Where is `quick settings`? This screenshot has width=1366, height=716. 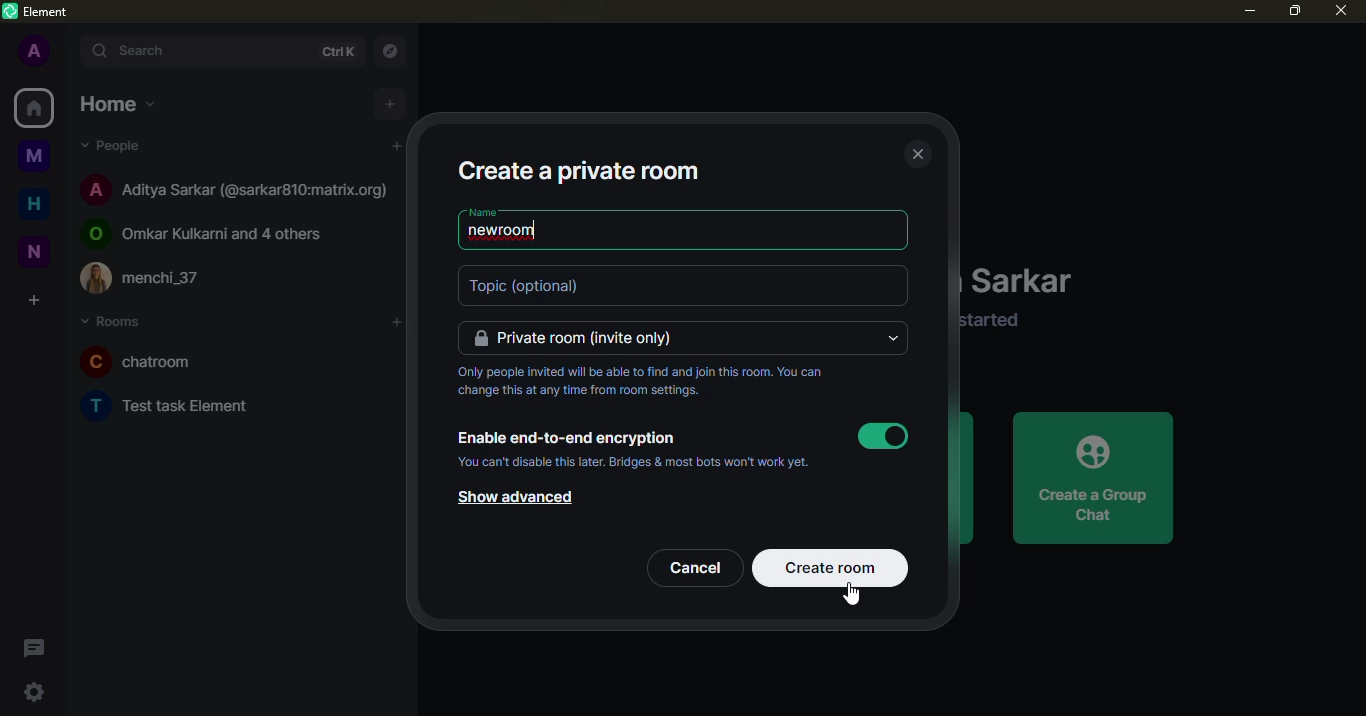
quick settings is located at coordinates (33, 690).